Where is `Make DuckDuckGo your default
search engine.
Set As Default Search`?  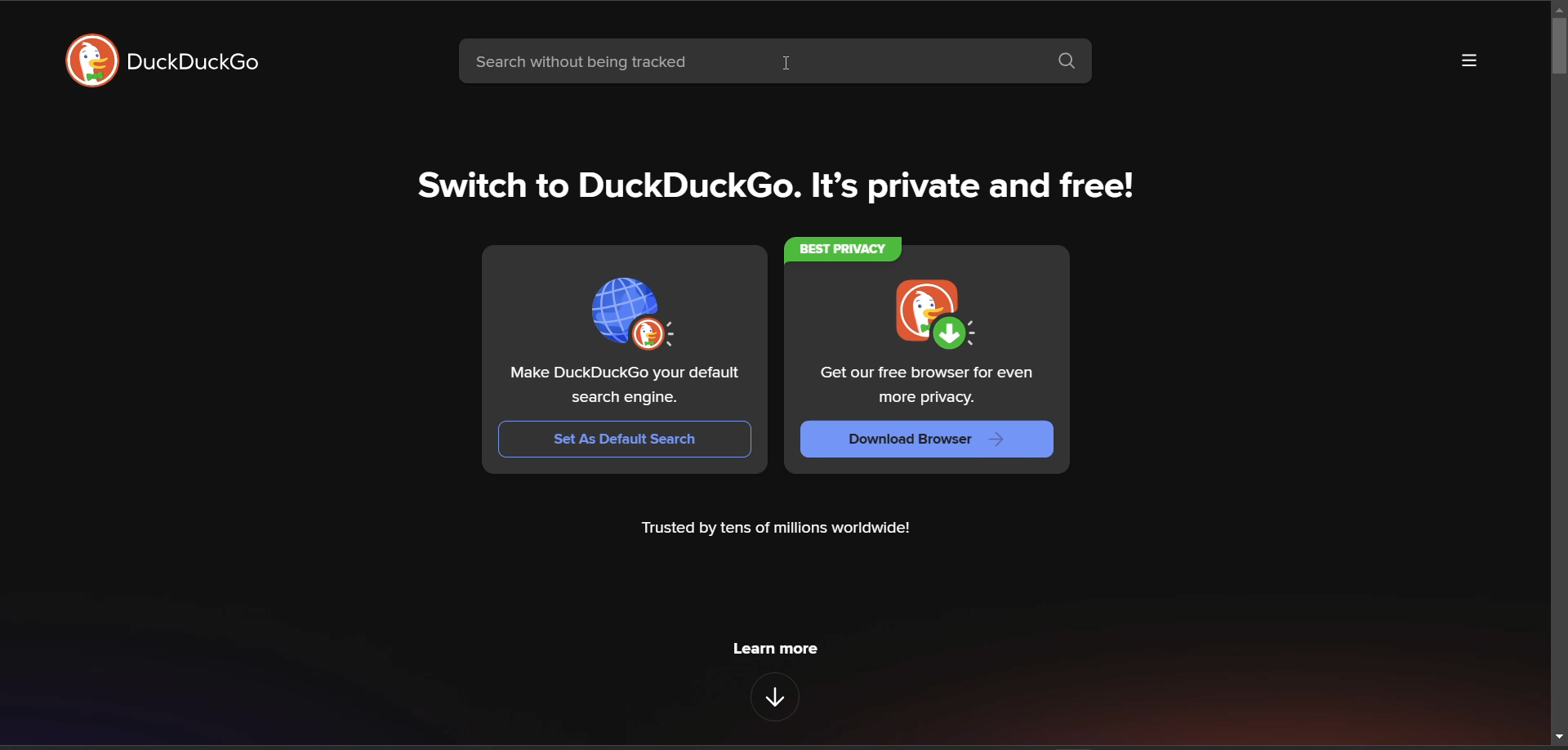
Make DuckDuckGo your default
search engine.
Set As Default Search is located at coordinates (626, 354).